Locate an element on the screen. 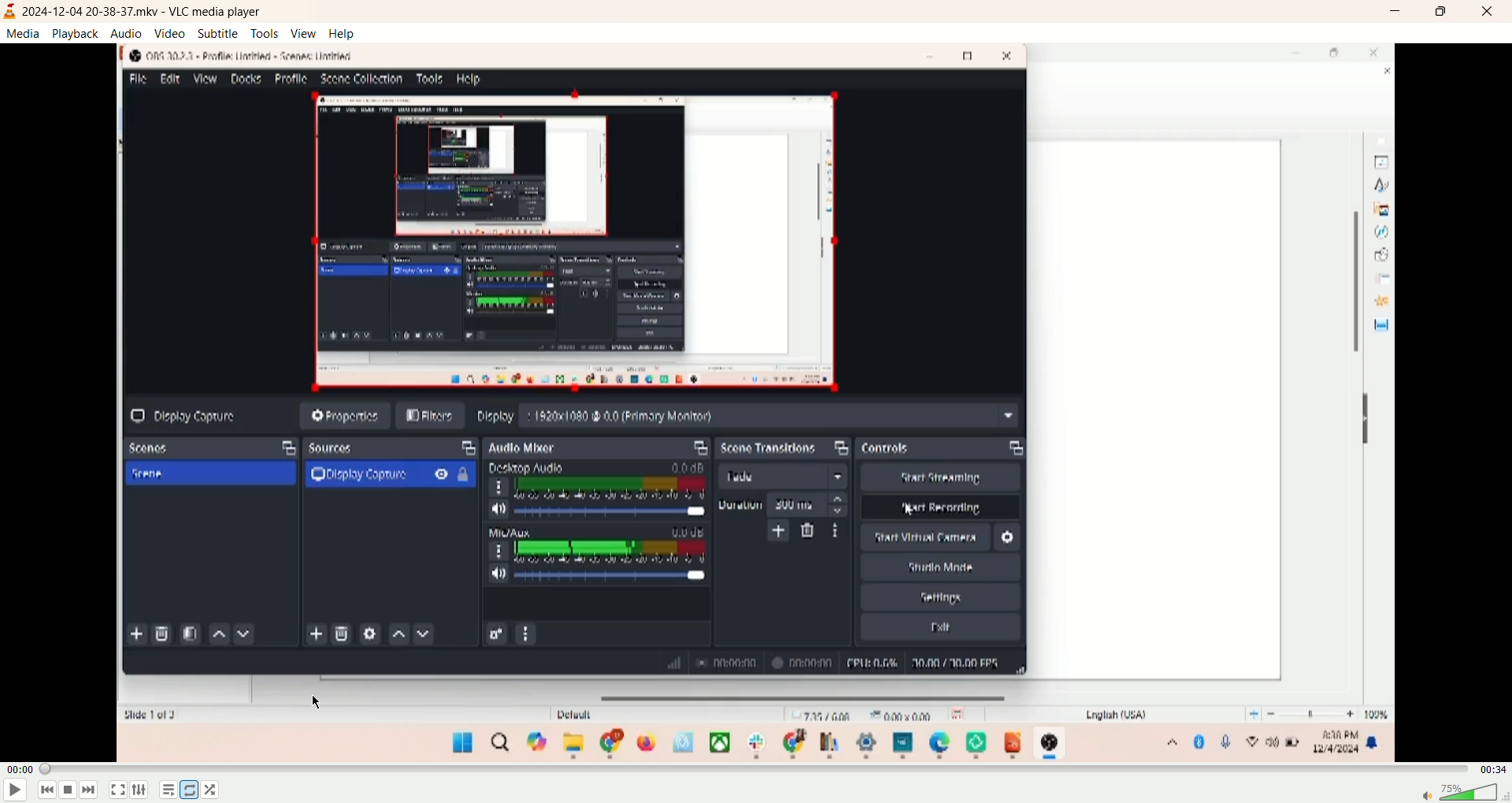 The image size is (1512, 803). next track is located at coordinates (87, 790).